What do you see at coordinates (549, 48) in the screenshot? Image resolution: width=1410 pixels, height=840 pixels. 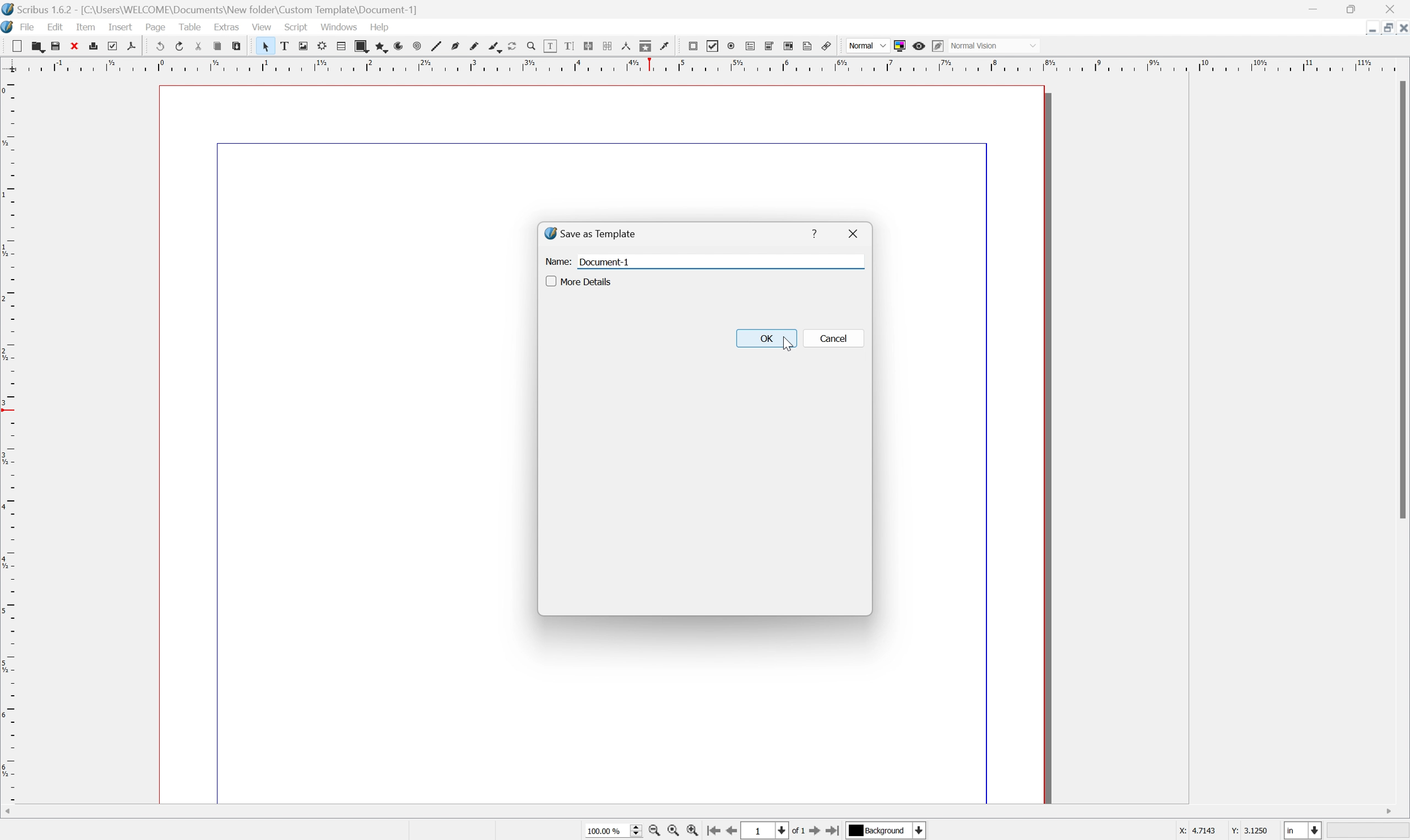 I see `edit contents of frame` at bounding box center [549, 48].